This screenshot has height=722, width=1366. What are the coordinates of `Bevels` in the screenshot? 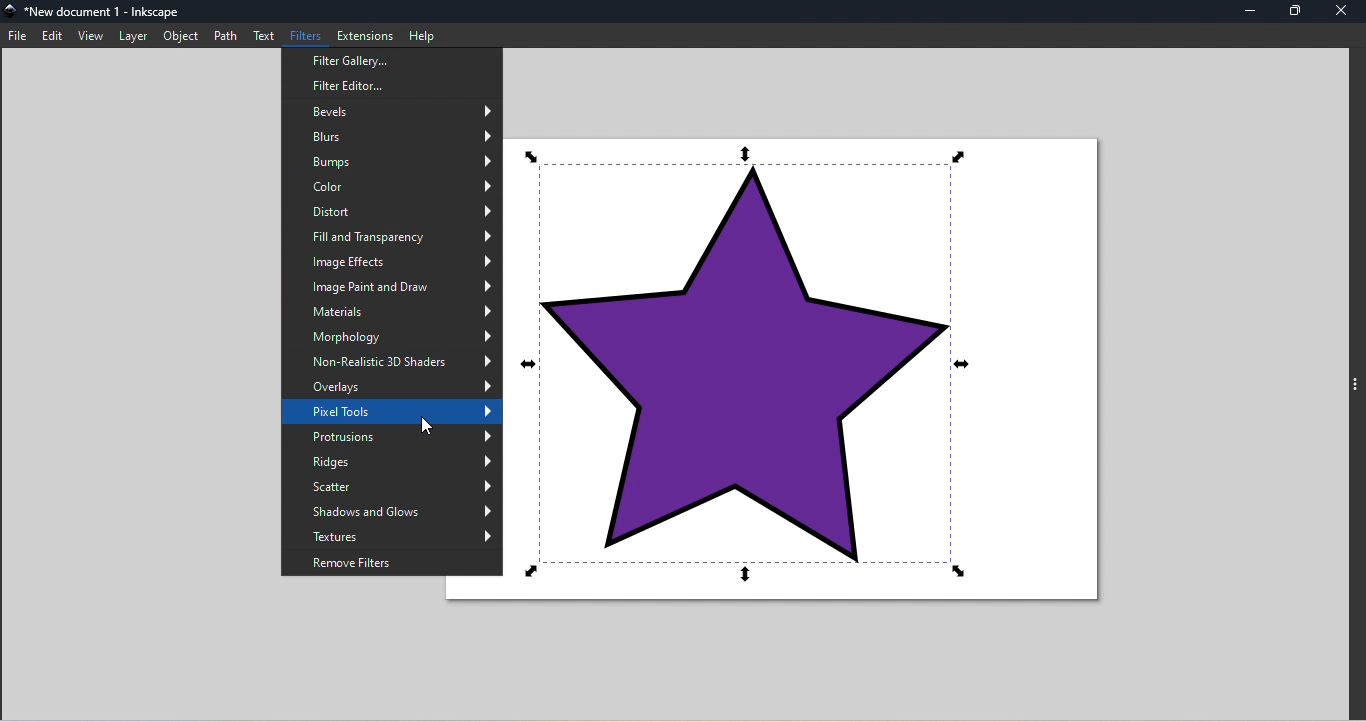 It's located at (392, 111).